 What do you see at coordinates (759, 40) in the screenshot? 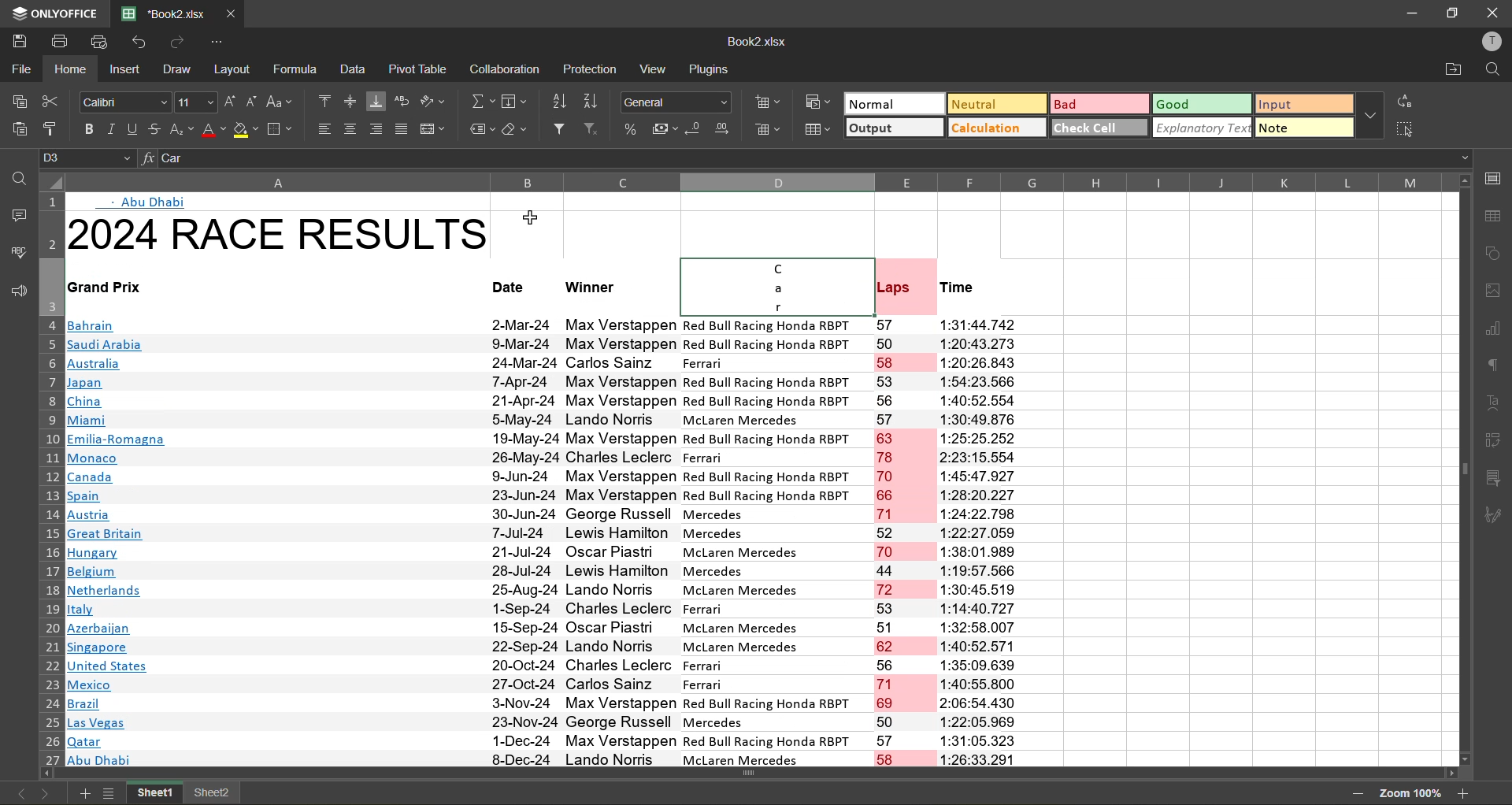
I see `file name` at bounding box center [759, 40].